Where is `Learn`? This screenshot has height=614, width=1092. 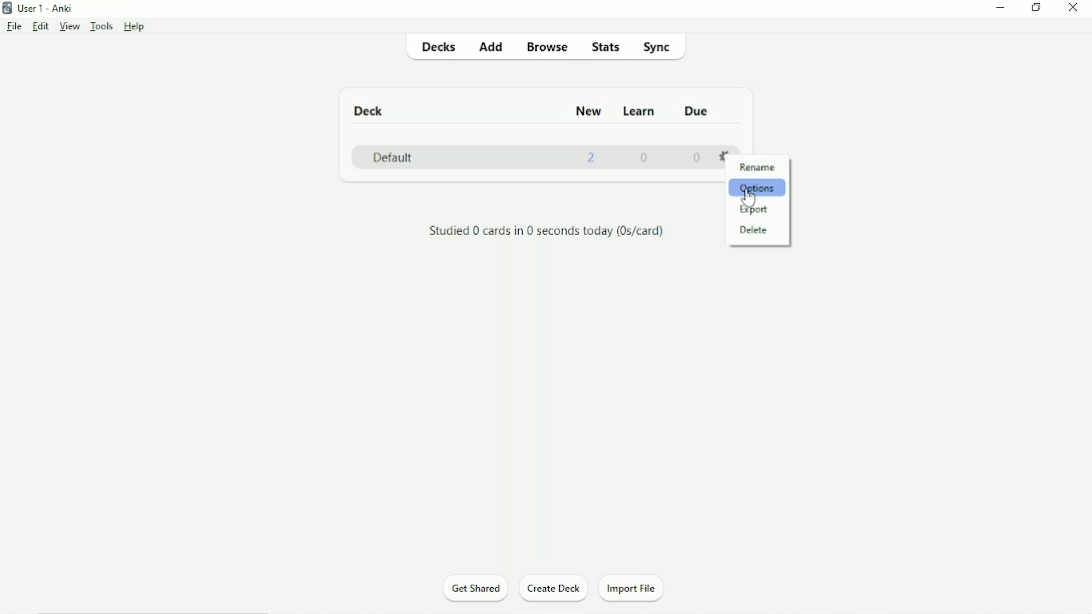 Learn is located at coordinates (641, 111).